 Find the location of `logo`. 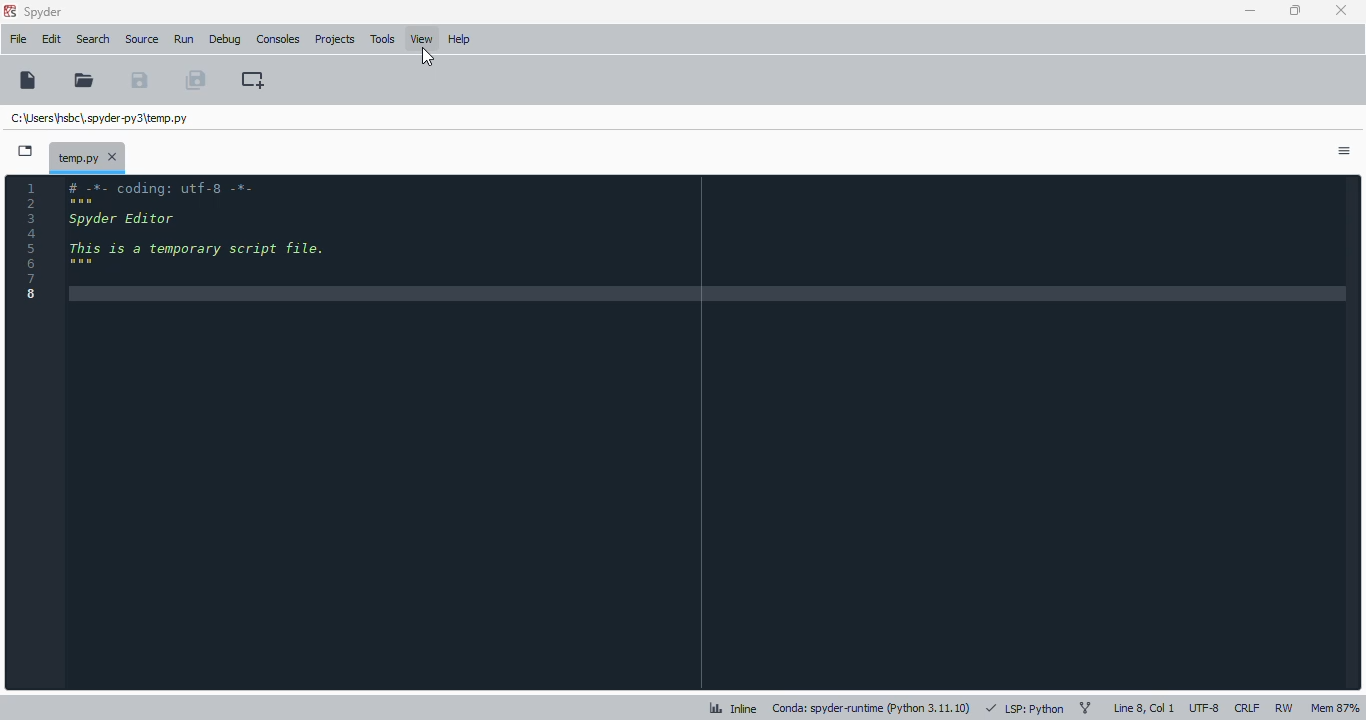

logo is located at coordinates (9, 11).